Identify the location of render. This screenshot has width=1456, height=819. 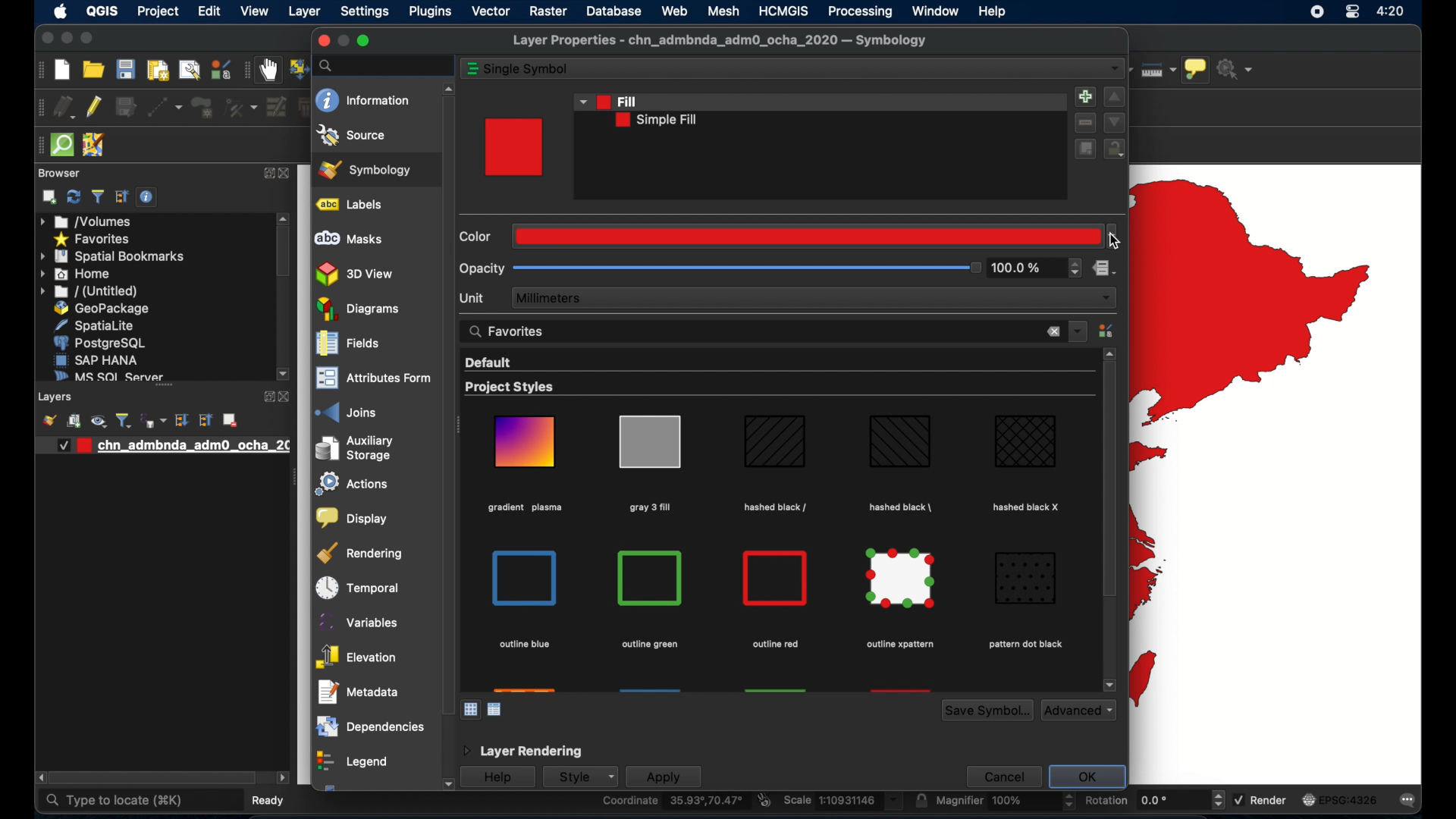
(1260, 799).